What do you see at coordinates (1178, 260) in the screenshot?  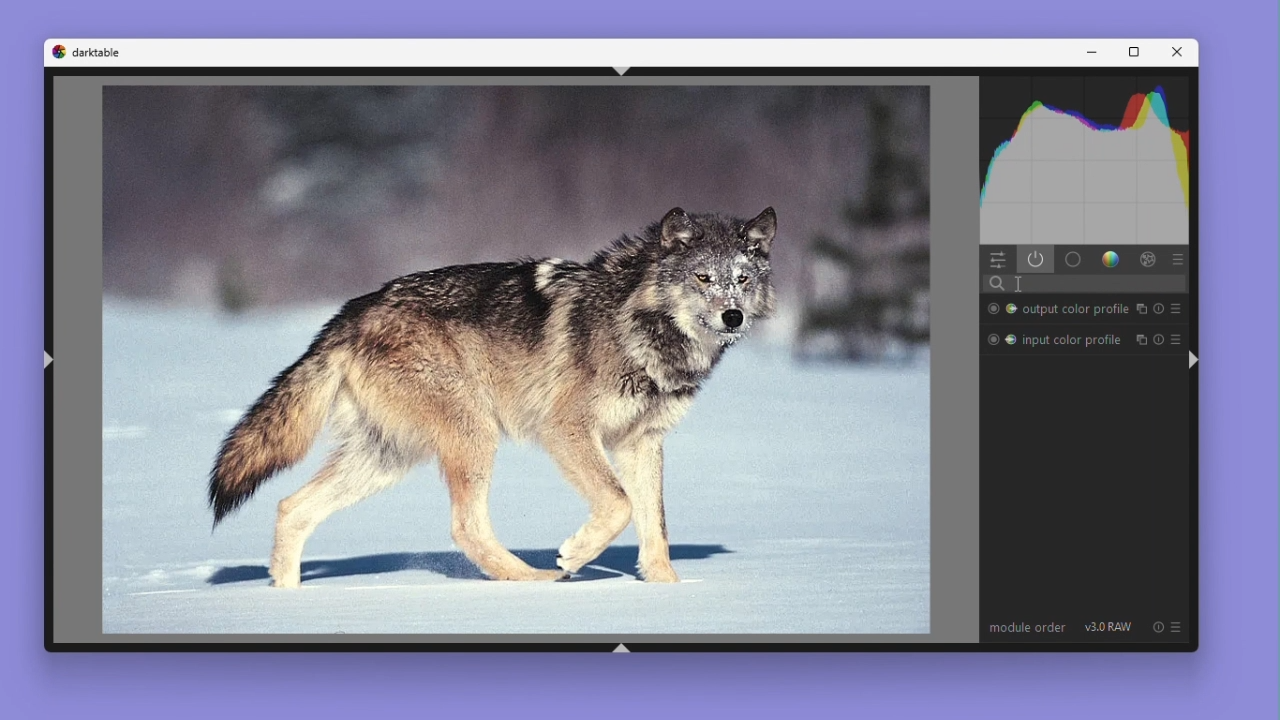 I see `Preset` at bounding box center [1178, 260].